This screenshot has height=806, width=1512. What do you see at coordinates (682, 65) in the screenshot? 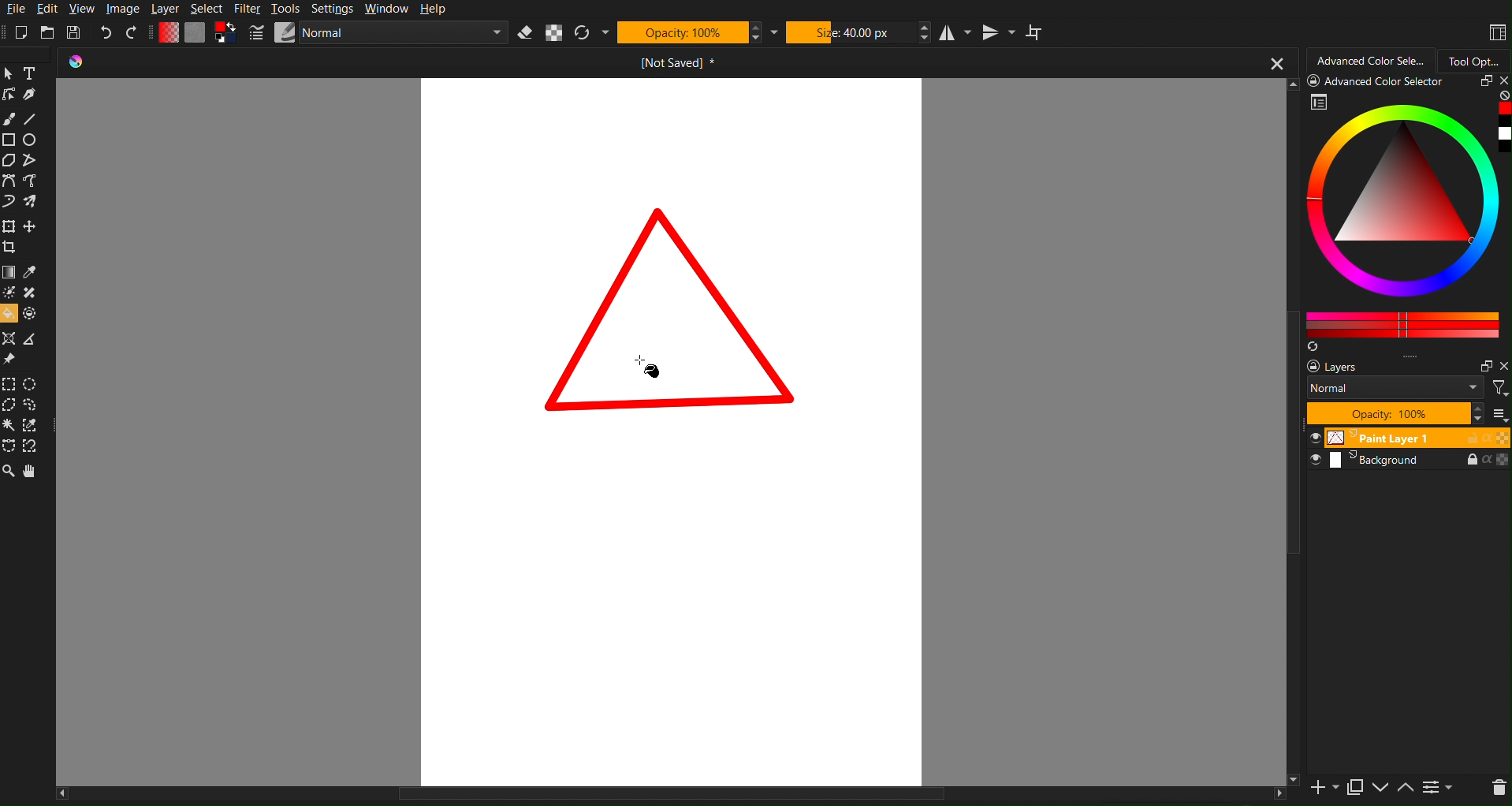
I see `[not saved]` at bounding box center [682, 65].